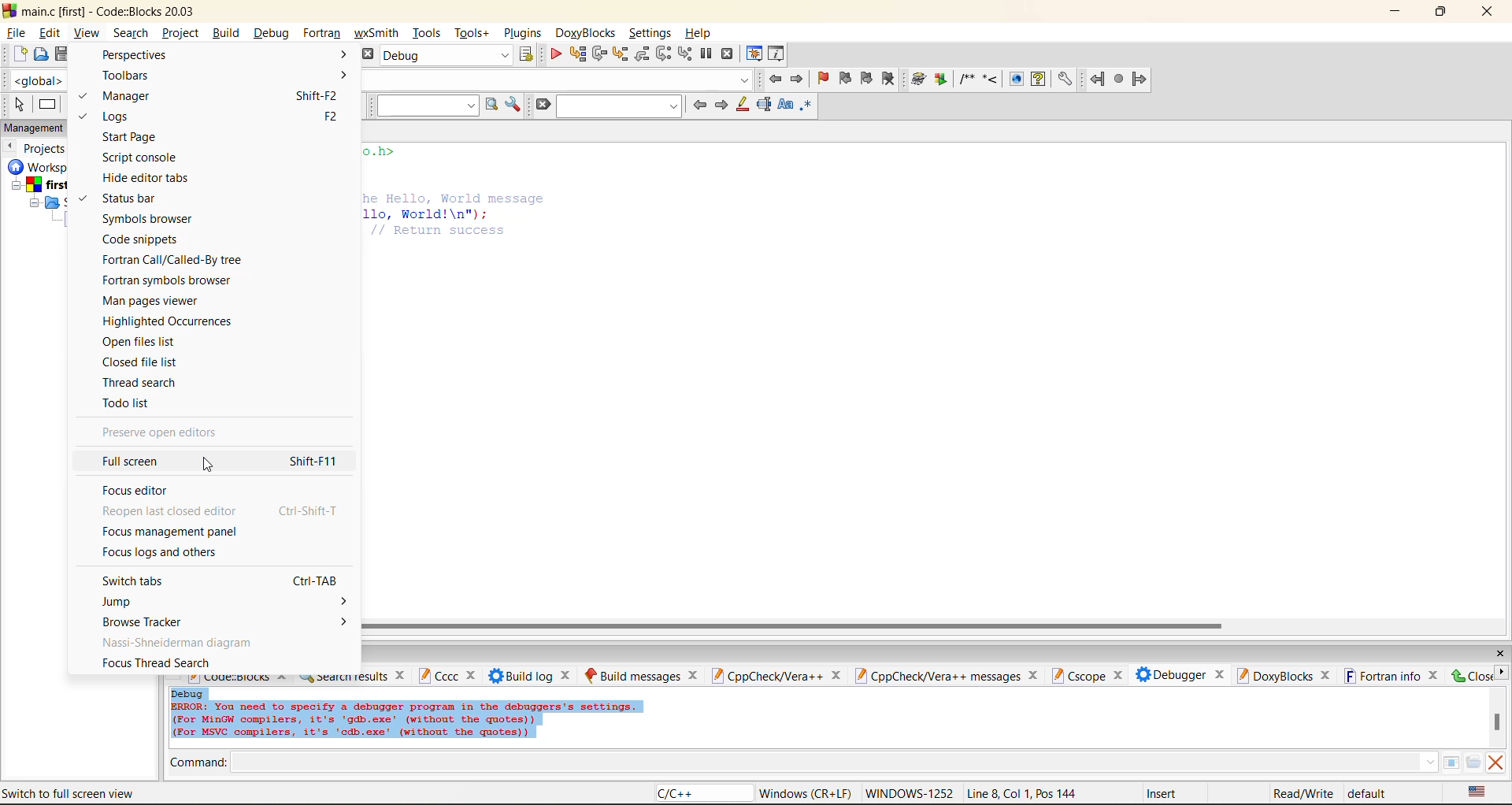 This screenshot has height=805, width=1512. Describe the element at coordinates (822, 82) in the screenshot. I see `toggle bookmarks` at that location.